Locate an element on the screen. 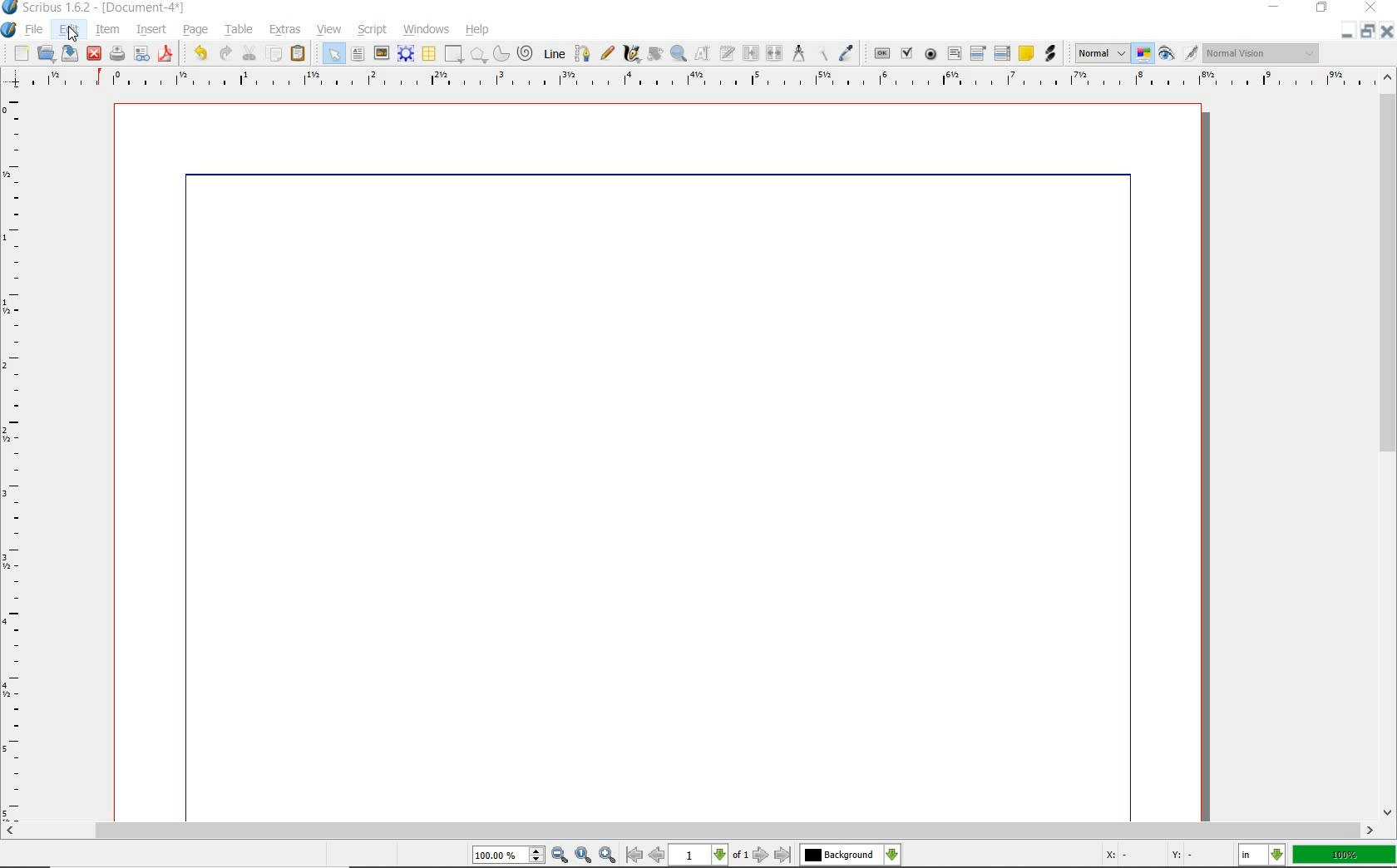 The height and width of the screenshot is (868, 1397). polygon is located at coordinates (478, 56).